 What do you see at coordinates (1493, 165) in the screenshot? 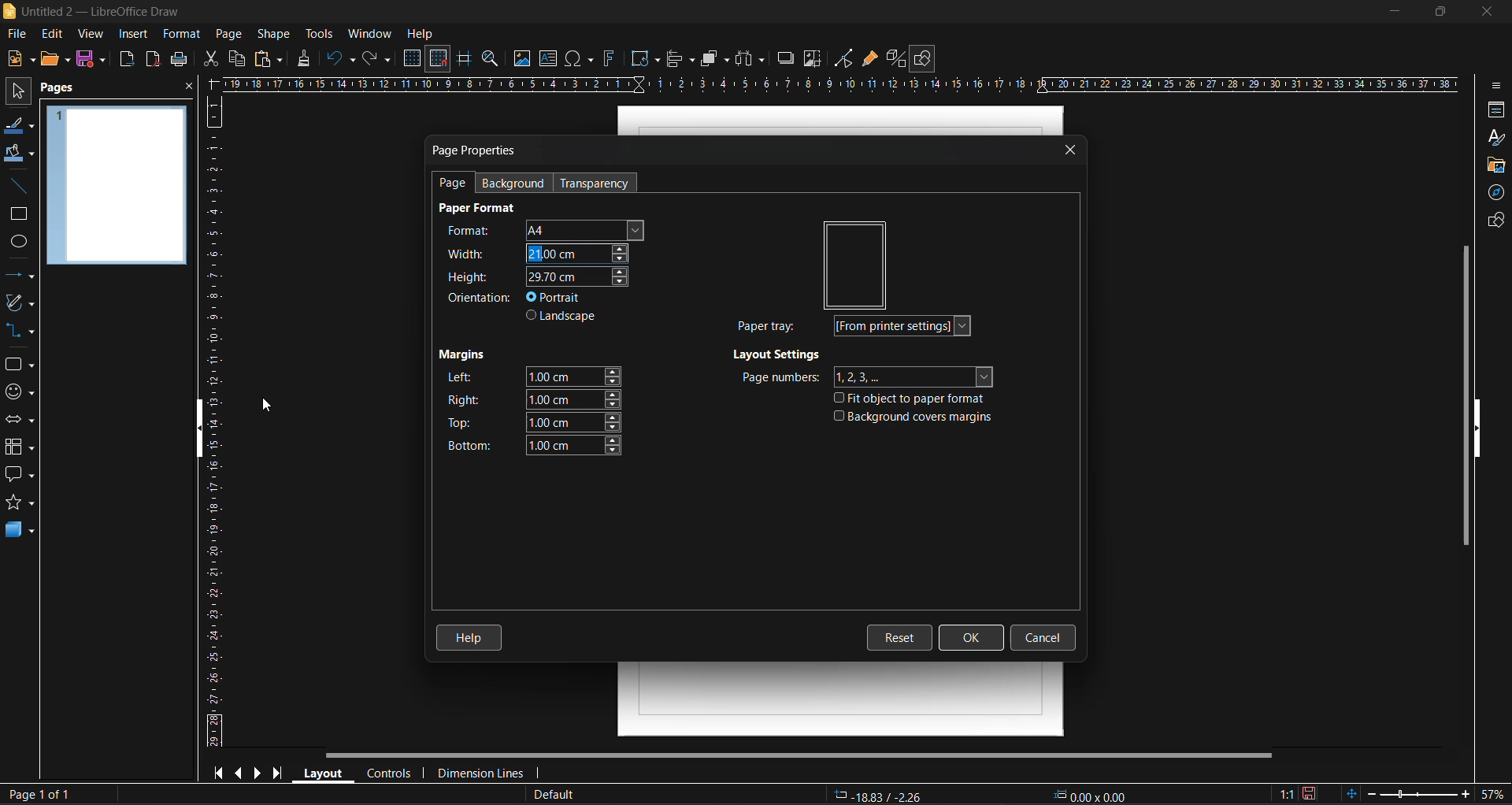
I see `gallery` at bounding box center [1493, 165].